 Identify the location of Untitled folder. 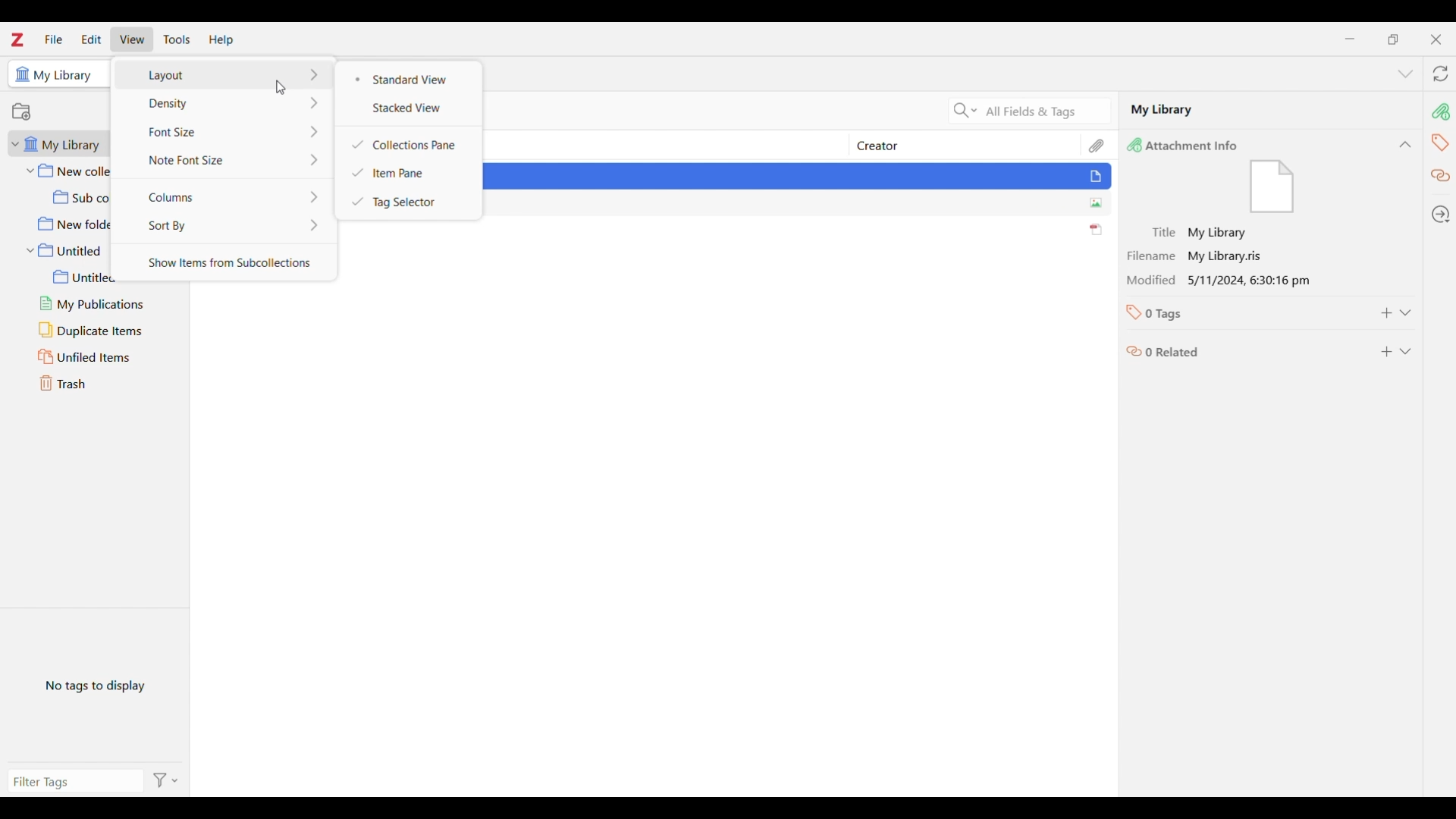
(66, 251).